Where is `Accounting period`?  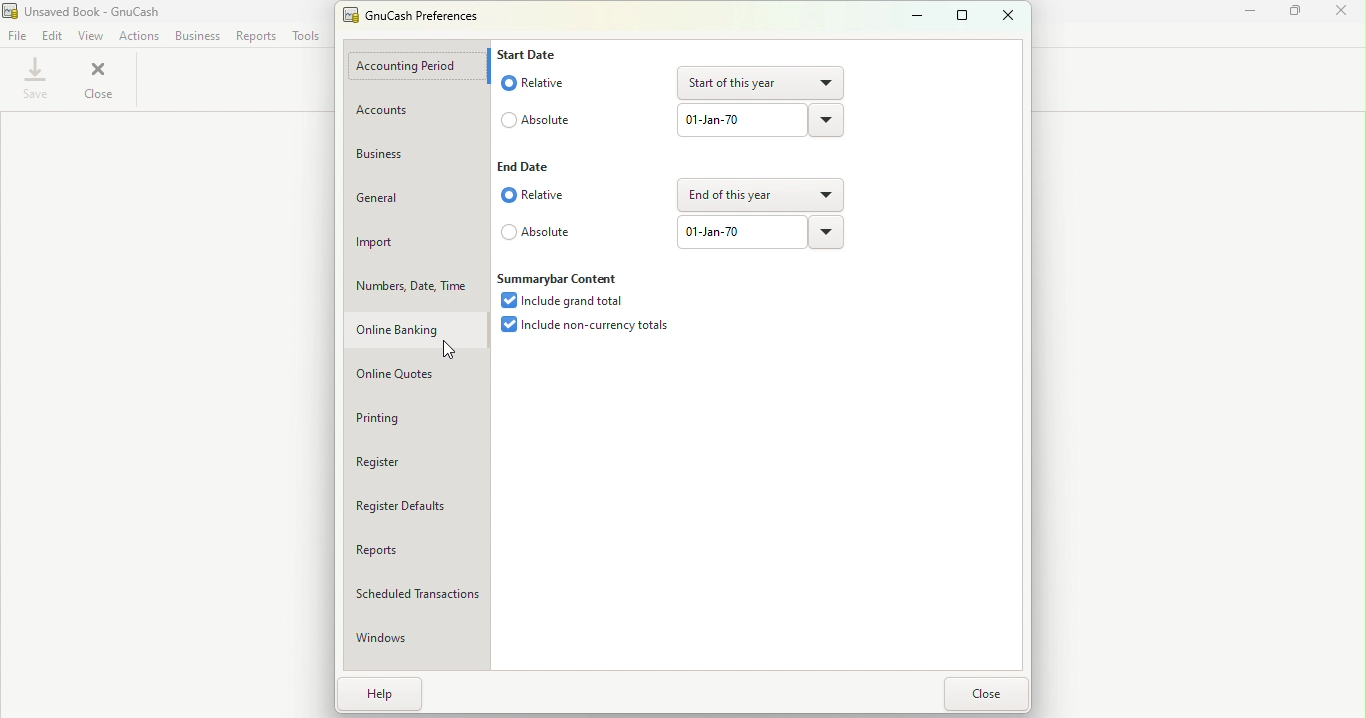
Accounting period is located at coordinates (414, 66).